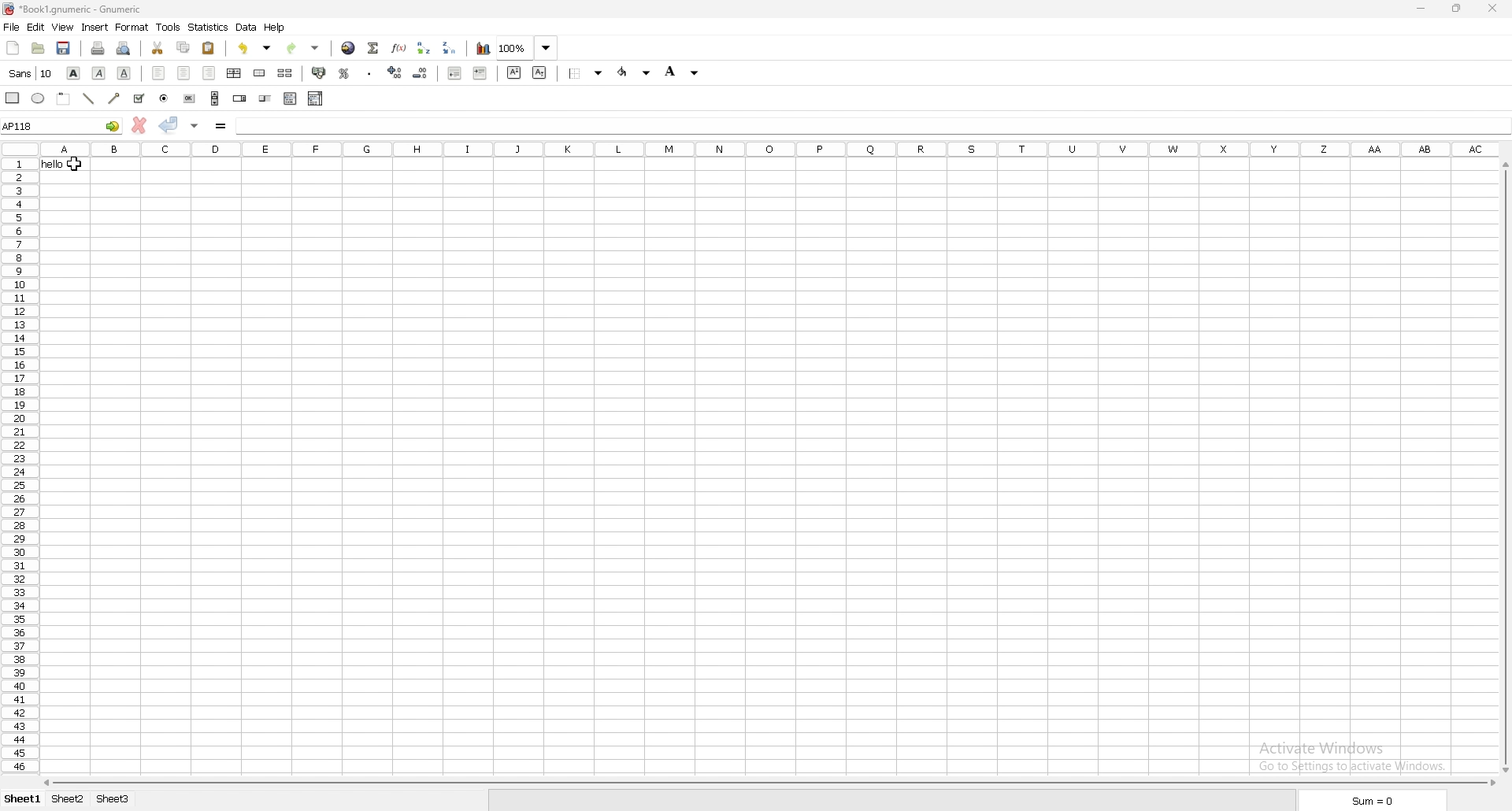 Image resolution: width=1512 pixels, height=811 pixels. I want to click on resize, so click(1457, 9).